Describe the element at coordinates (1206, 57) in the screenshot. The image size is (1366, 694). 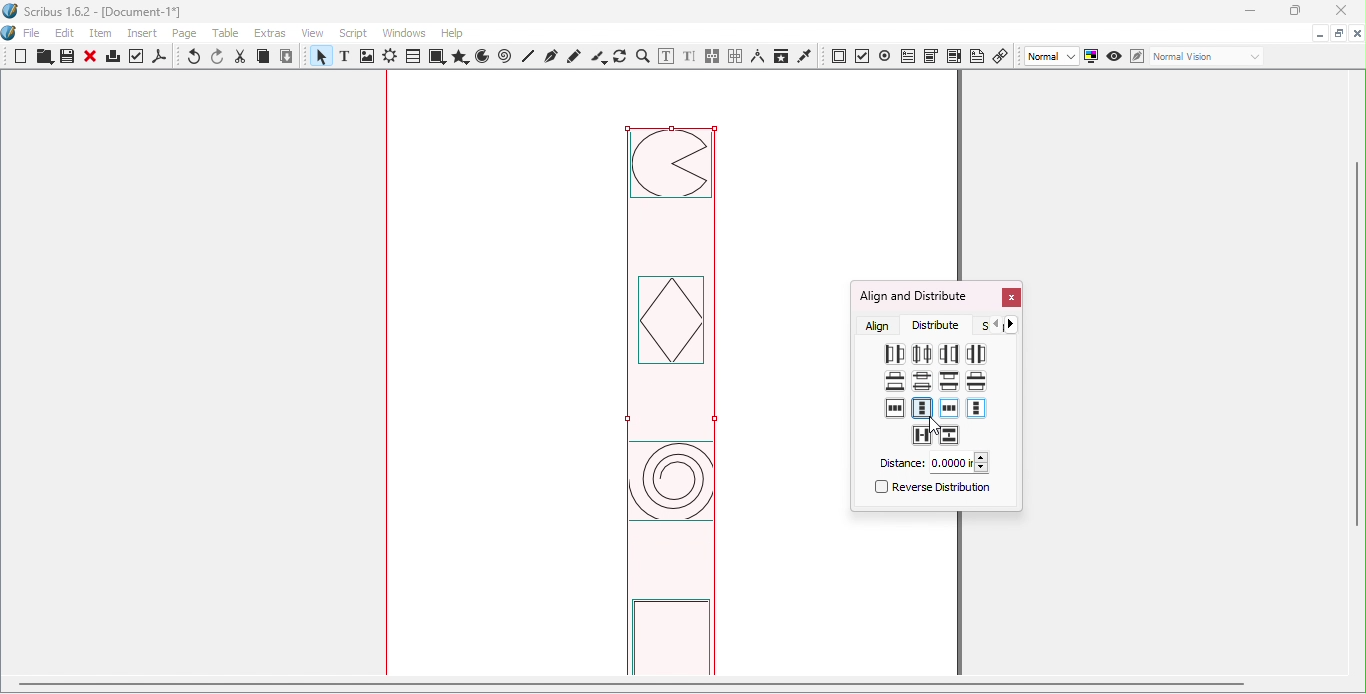
I see `Select the visual appearance of the display` at that location.